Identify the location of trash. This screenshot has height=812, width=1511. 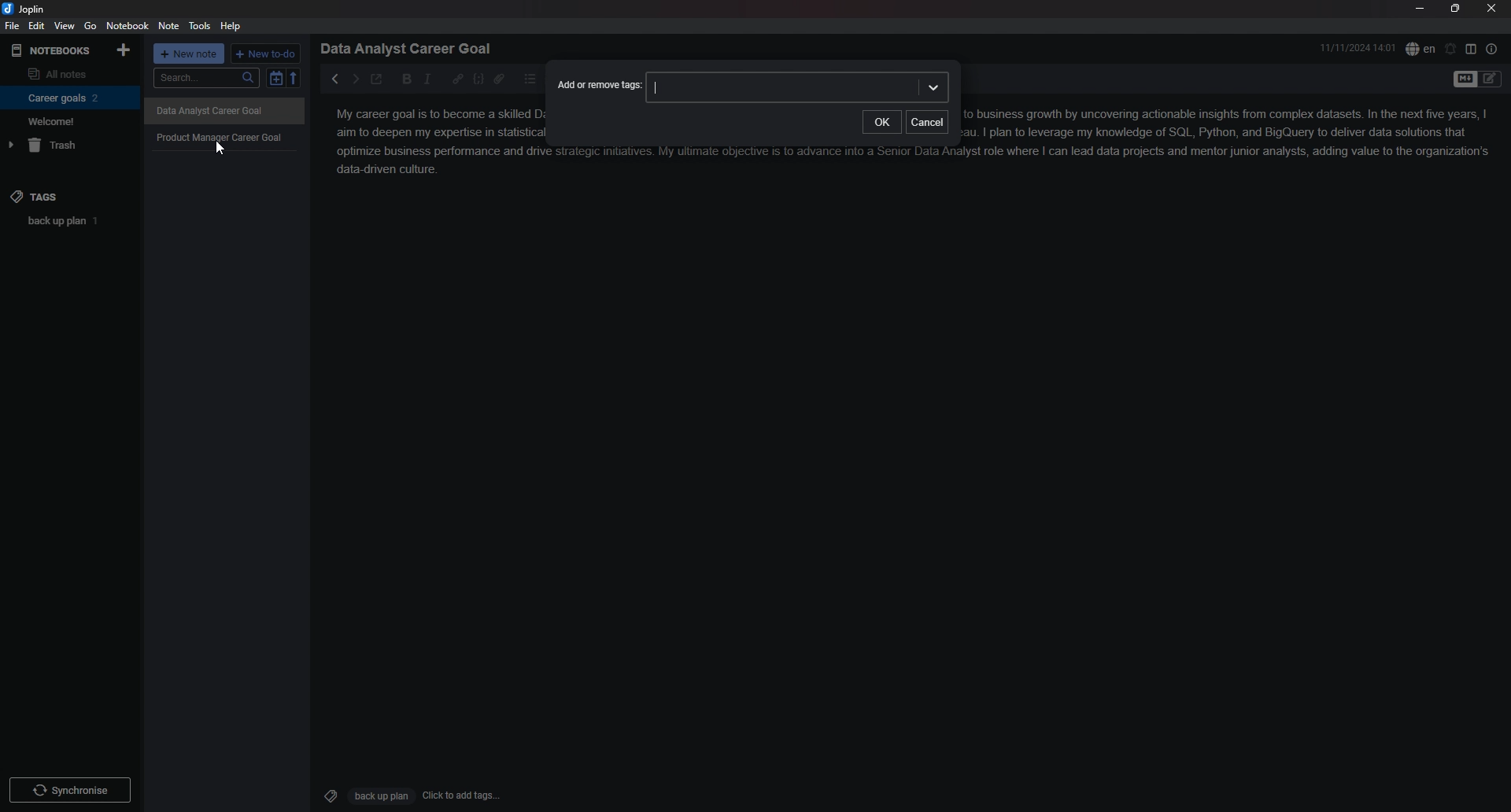
(68, 145).